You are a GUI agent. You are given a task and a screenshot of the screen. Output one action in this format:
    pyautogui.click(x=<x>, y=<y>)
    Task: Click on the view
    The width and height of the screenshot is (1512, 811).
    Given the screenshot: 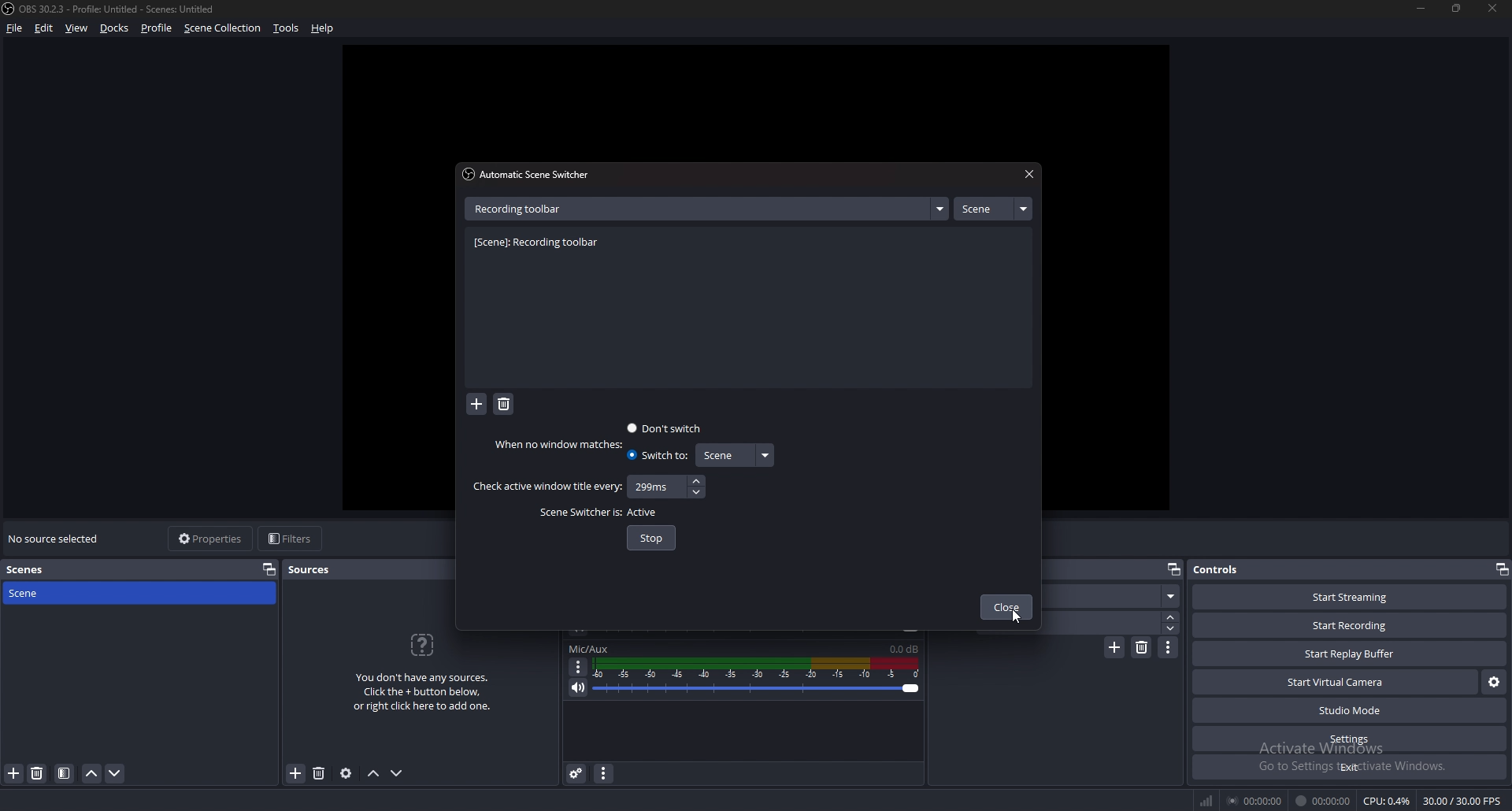 What is the action you would take?
    pyautogui.click(x=77, y=28)
    